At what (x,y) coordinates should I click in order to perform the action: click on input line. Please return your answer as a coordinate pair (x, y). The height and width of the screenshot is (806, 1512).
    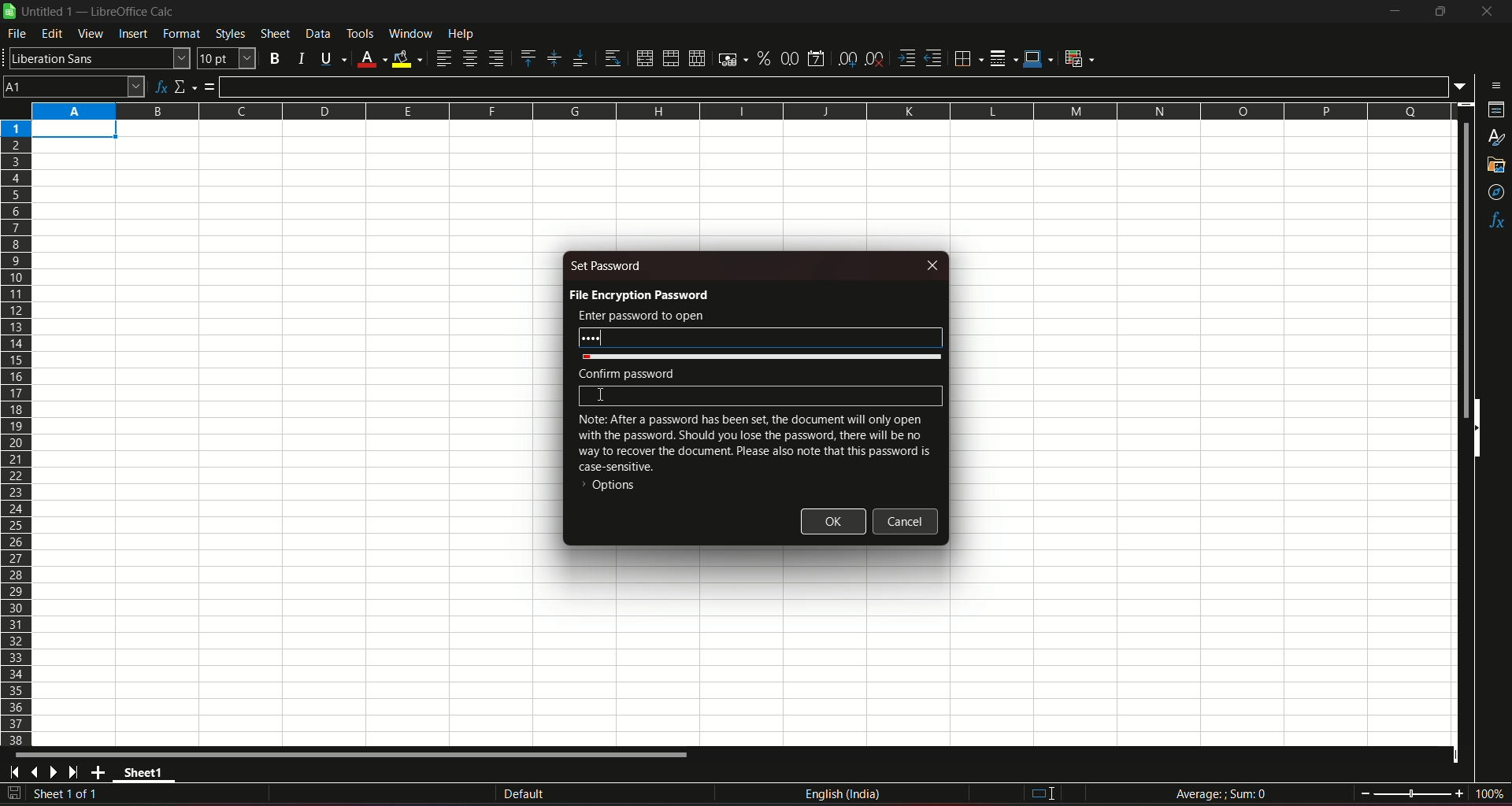
    Looking at the image, I should click on (835, 85).